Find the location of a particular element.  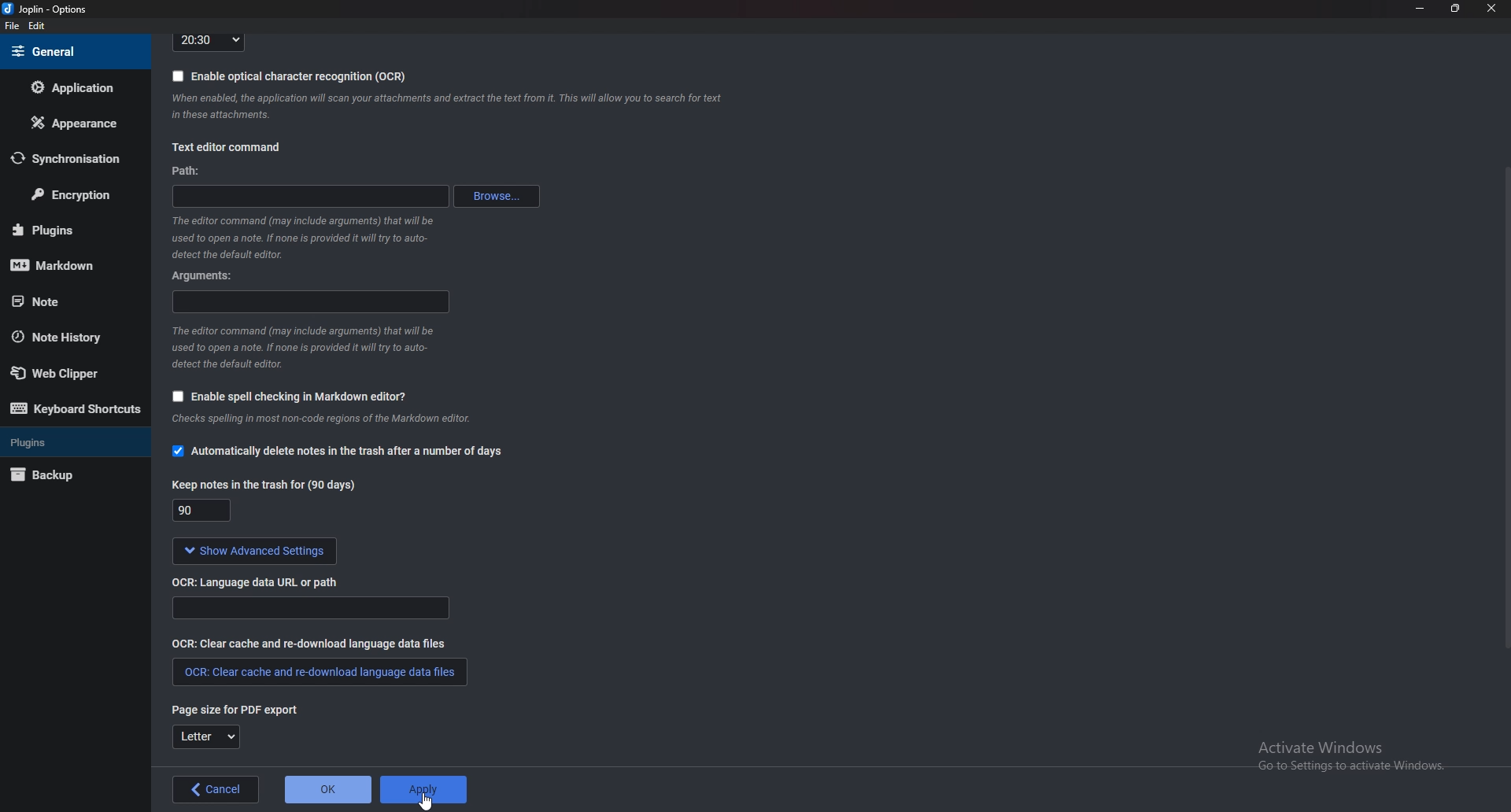

O C R clear cache and redownload language data is located at coordinates (318, 672).